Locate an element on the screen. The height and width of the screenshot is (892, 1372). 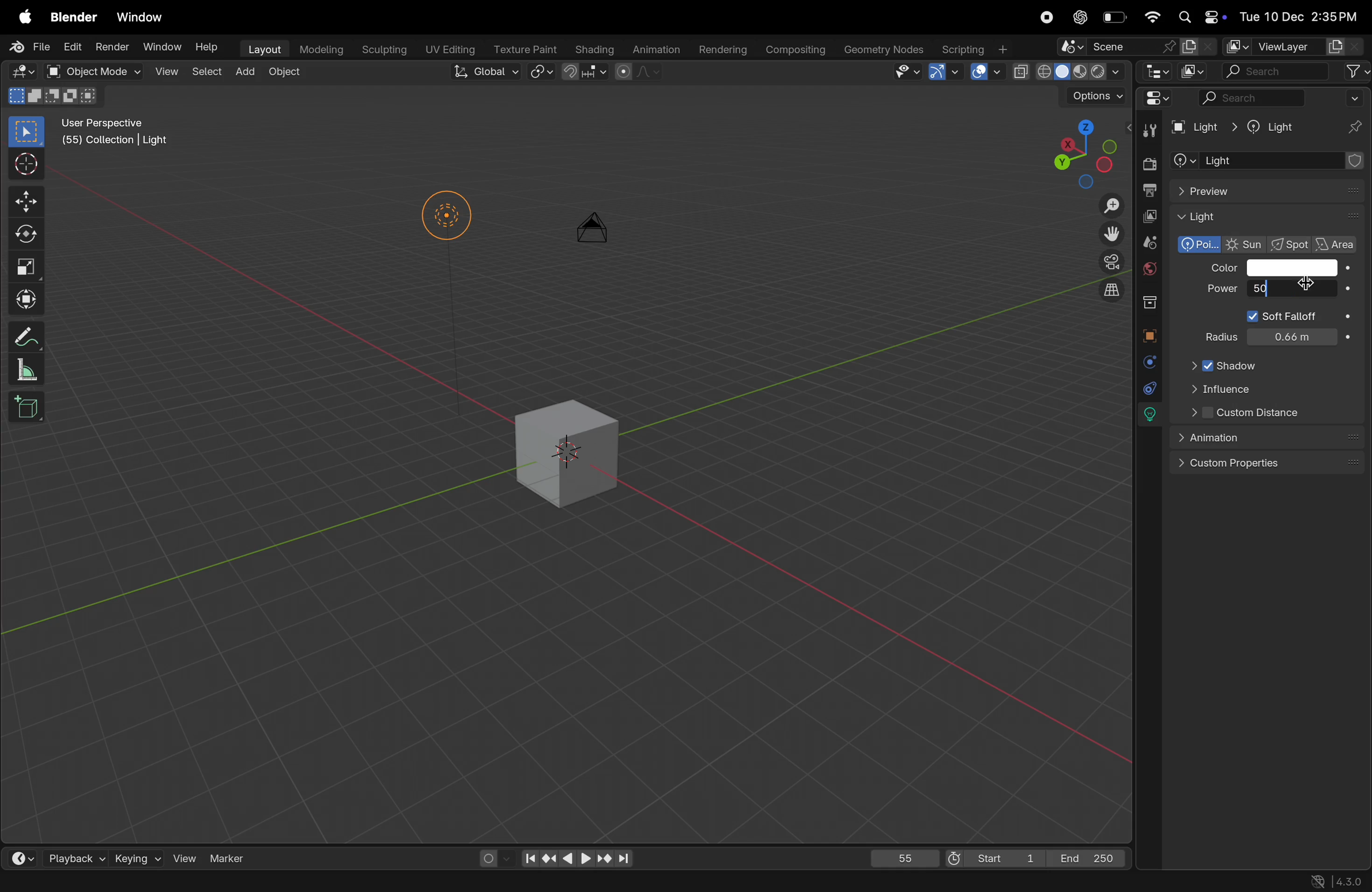
power is located at coordinates (1280, 328).